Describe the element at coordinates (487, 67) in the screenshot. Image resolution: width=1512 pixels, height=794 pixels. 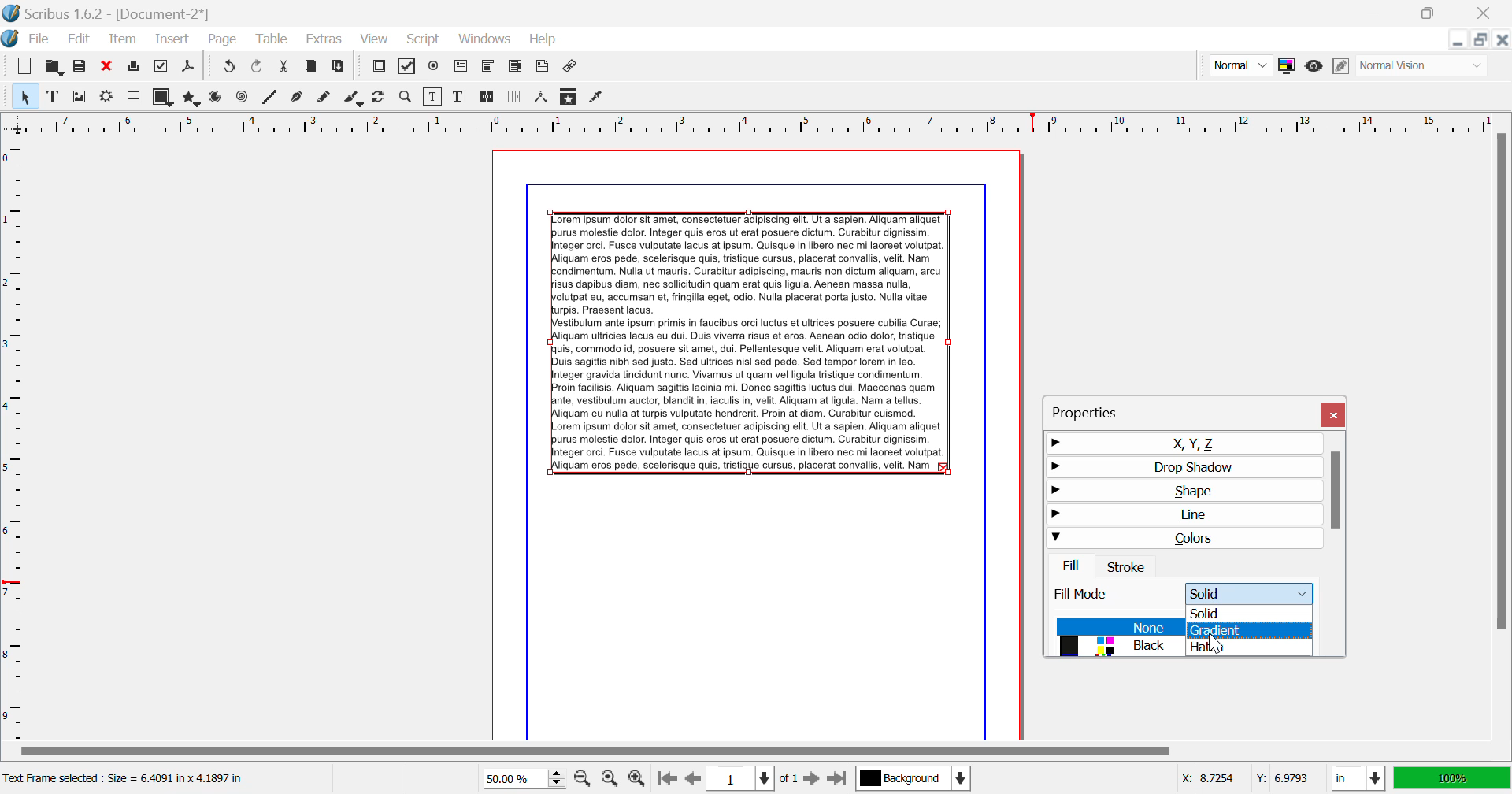
I see `Pdf Combo Box` at that location.